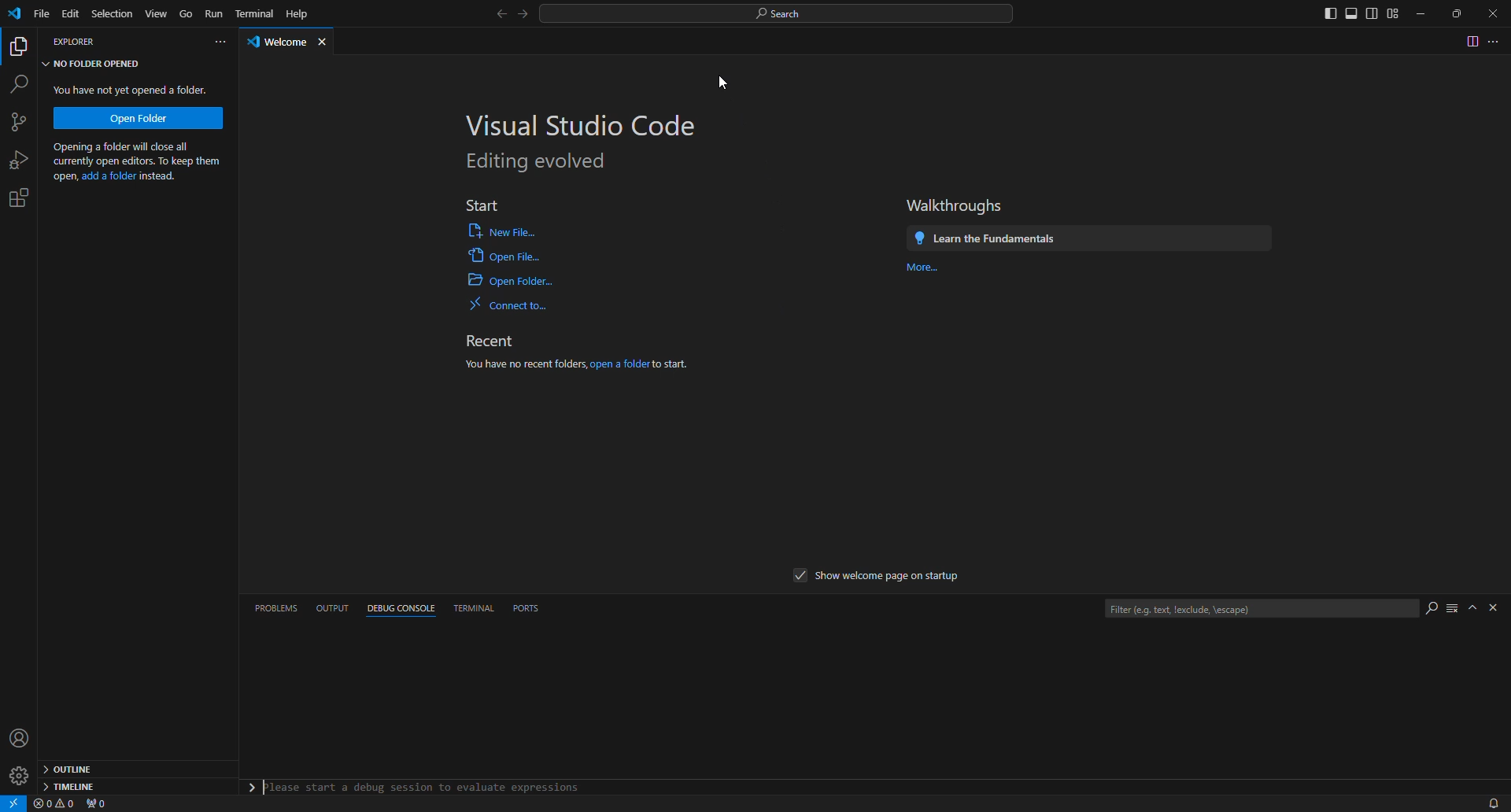 The width and height of the screenshot is (1511, 812). What do you see at coordinates (923, 275) in the screenshot?
I see `More` at bounding box center [923, 275].